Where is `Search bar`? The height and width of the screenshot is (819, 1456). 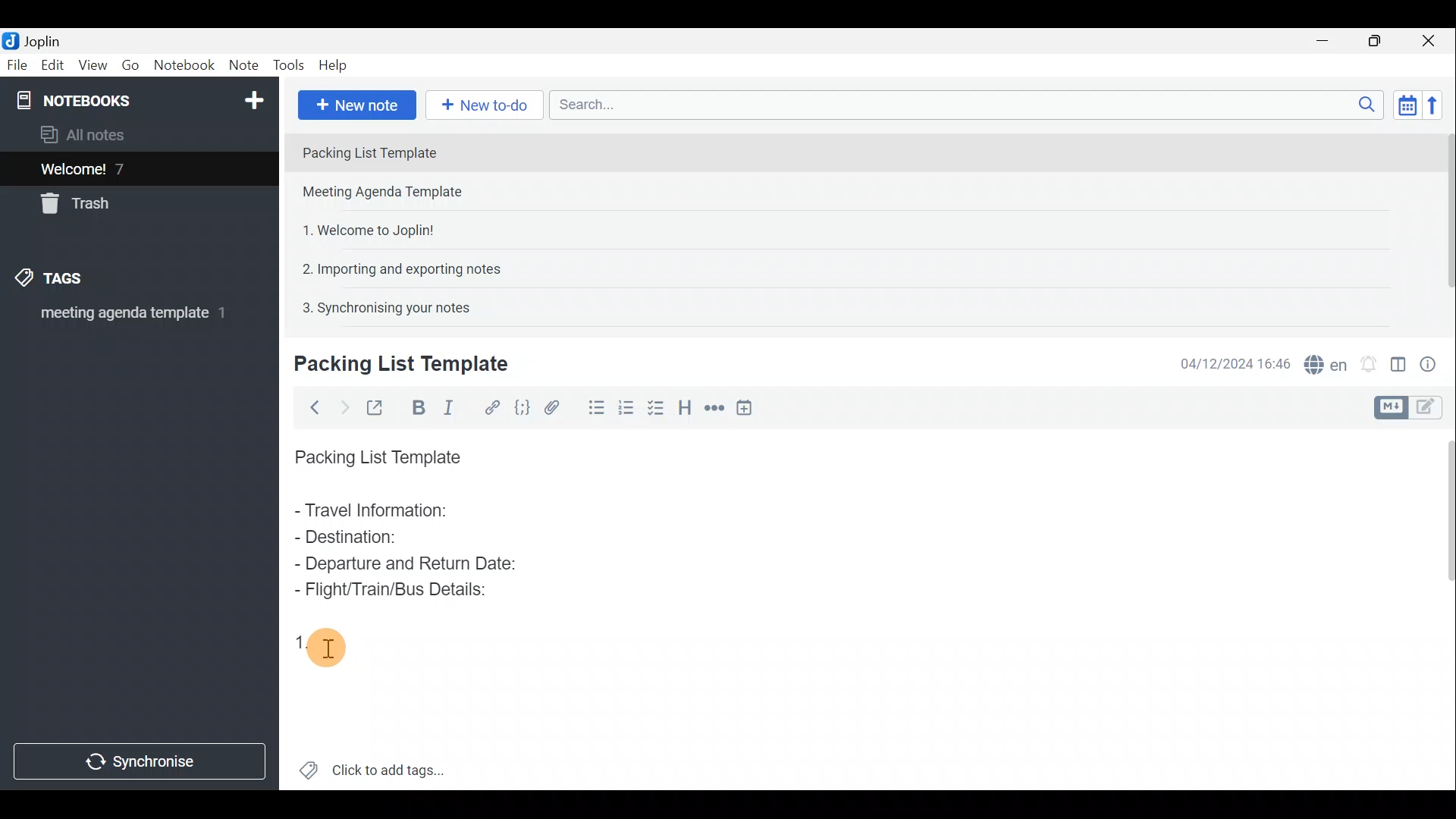 Search bar is located at coordinates (962, 106).